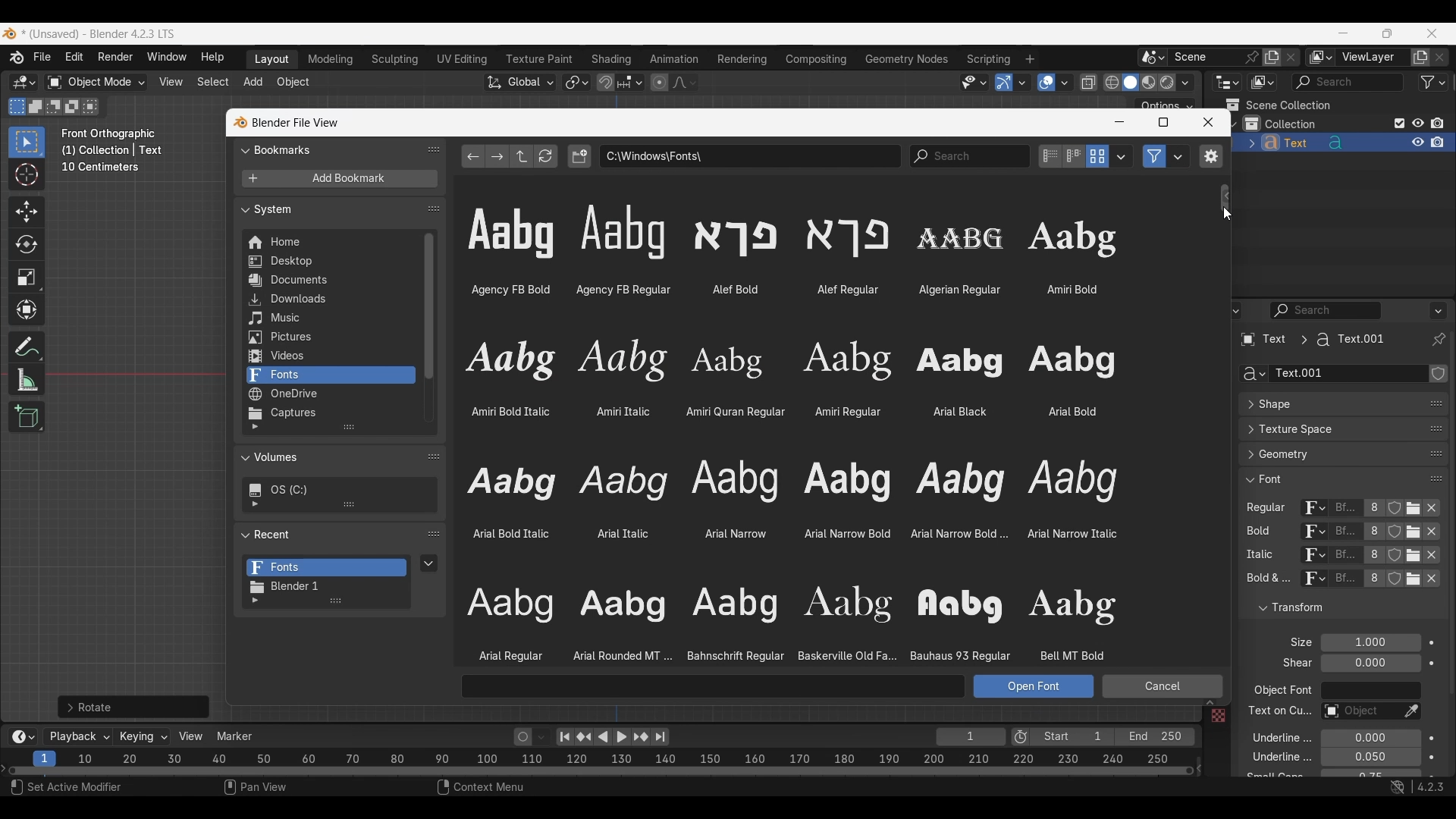 The height and width of the screenshot is (819, 1456). Describe the element at coordinates (1050, 156) in the screenshot. I see `Display settings, vertical list` at that location.